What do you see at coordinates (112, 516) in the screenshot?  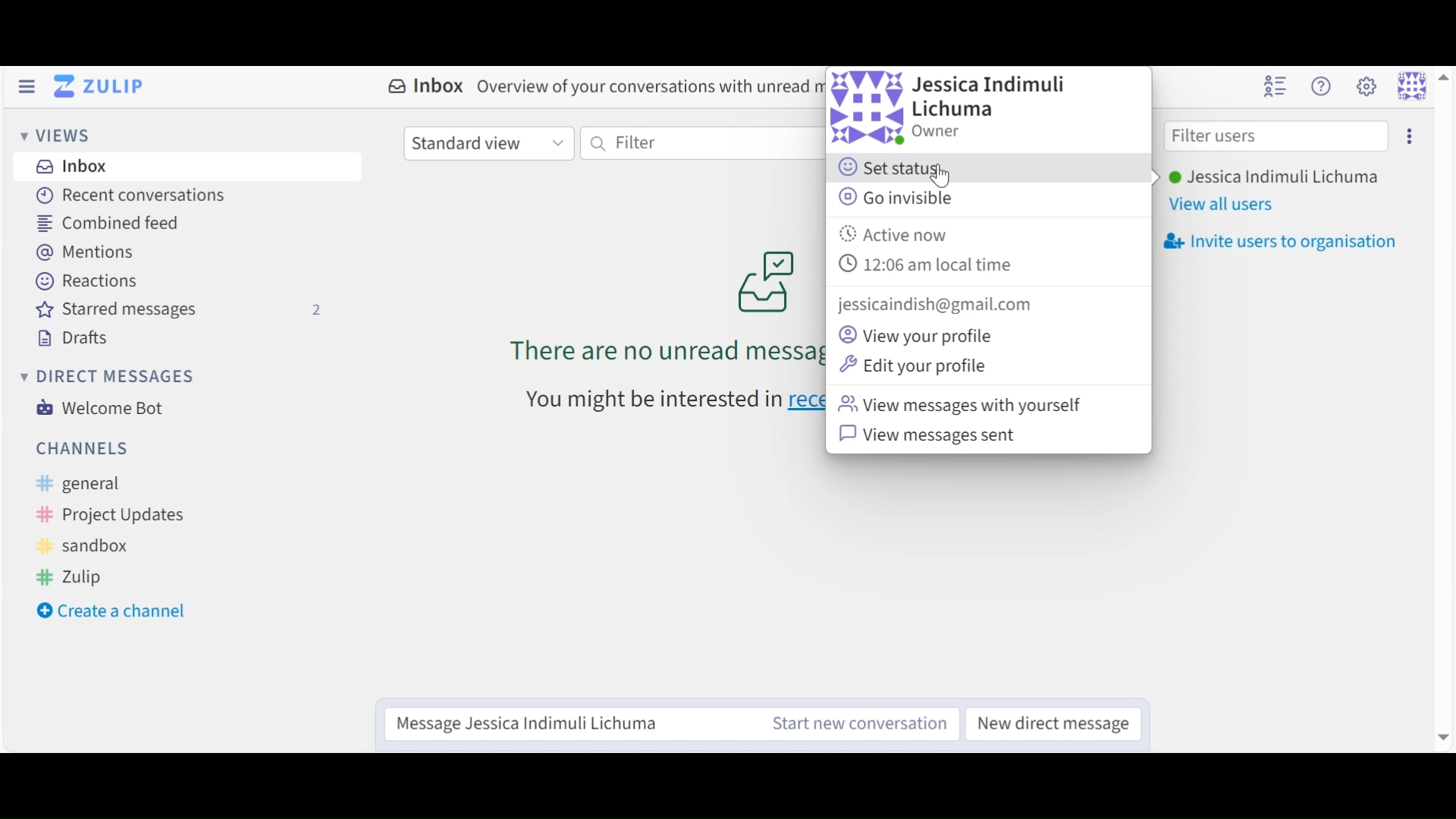 I see `project updates` at bounding box center [112, 516].